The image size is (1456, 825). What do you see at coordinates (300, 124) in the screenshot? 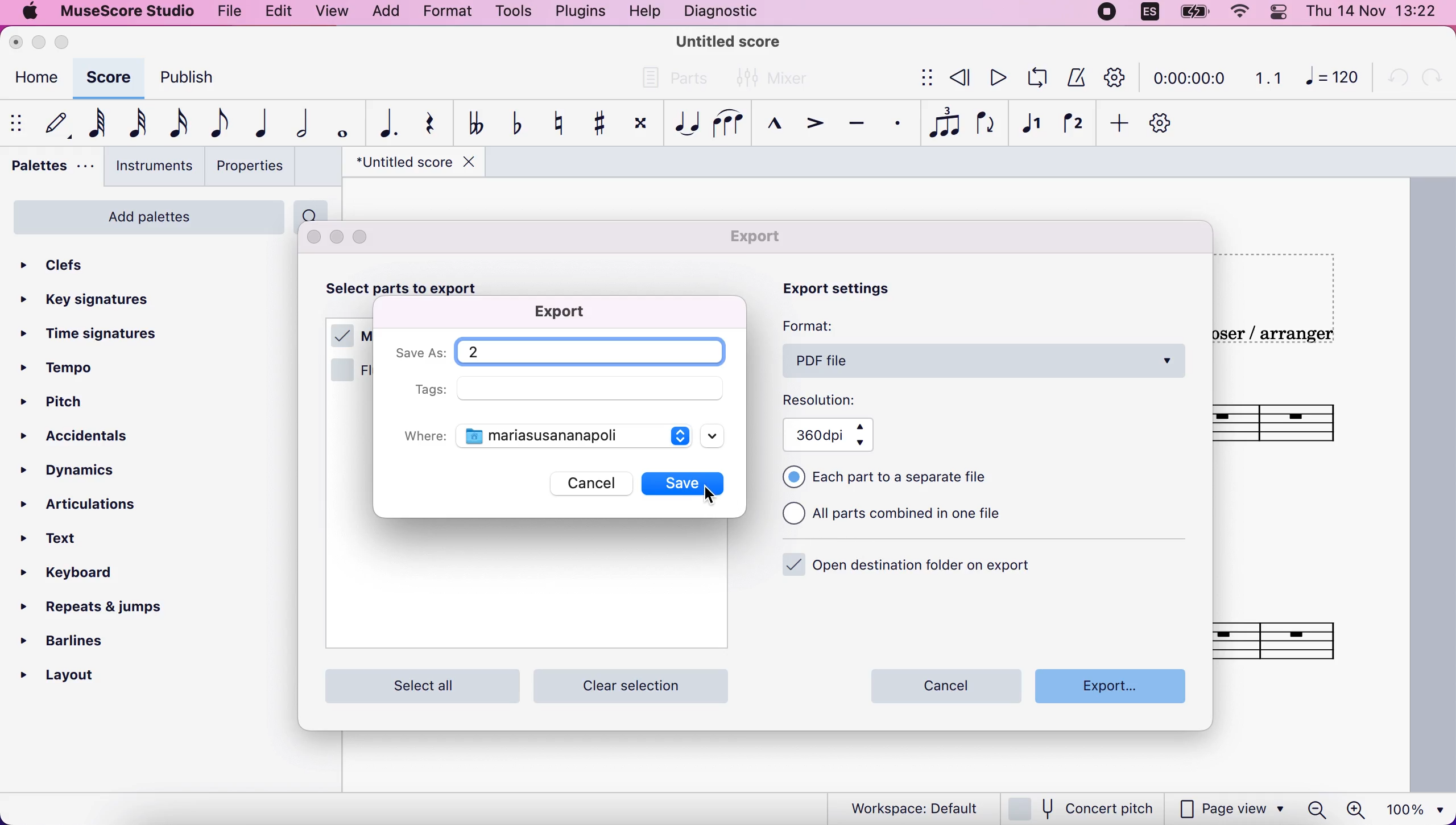
I see `half note` at bounding box center [300, 124].